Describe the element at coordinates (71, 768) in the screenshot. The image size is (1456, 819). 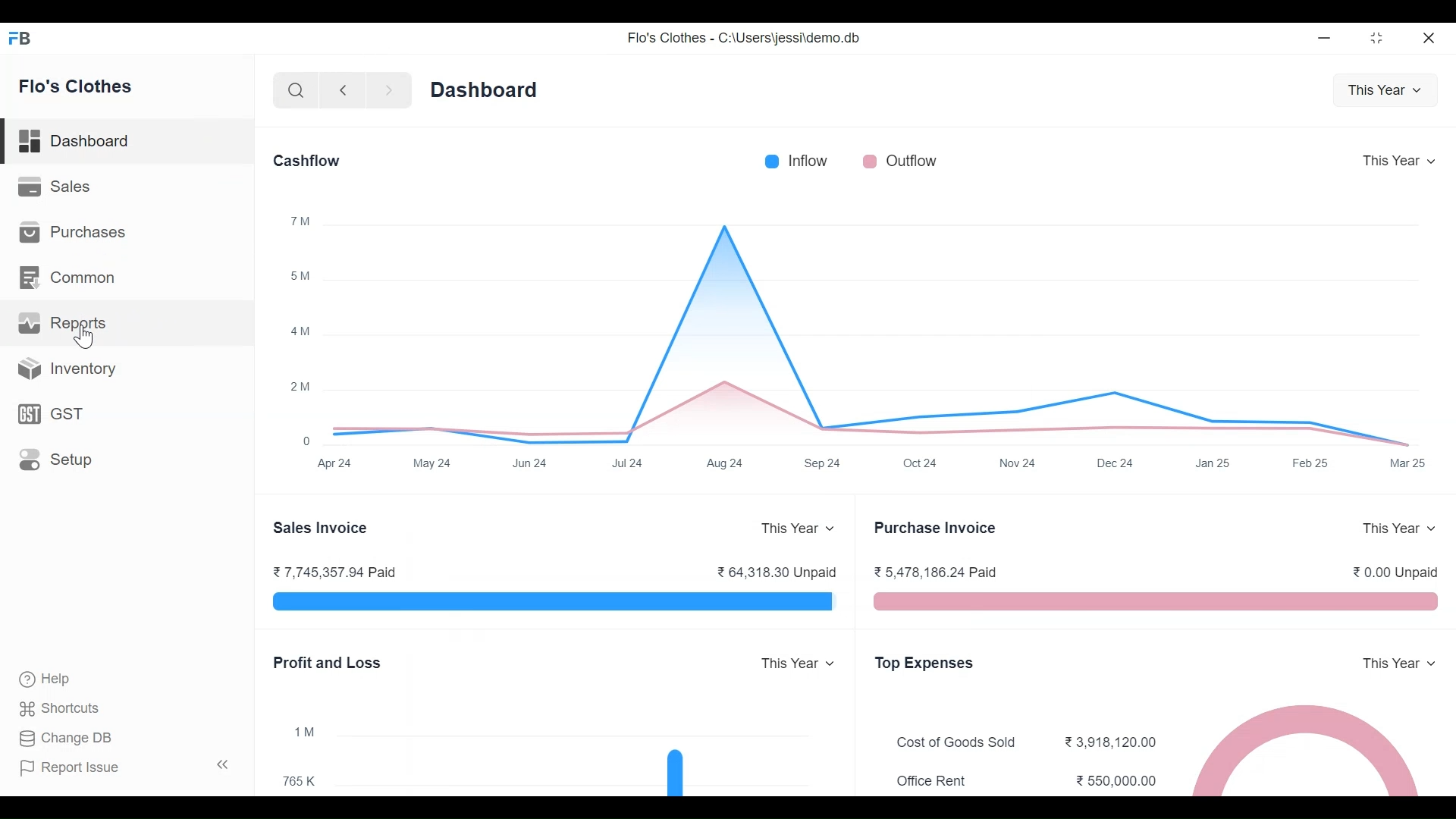
I see `Report Issue` at that location.